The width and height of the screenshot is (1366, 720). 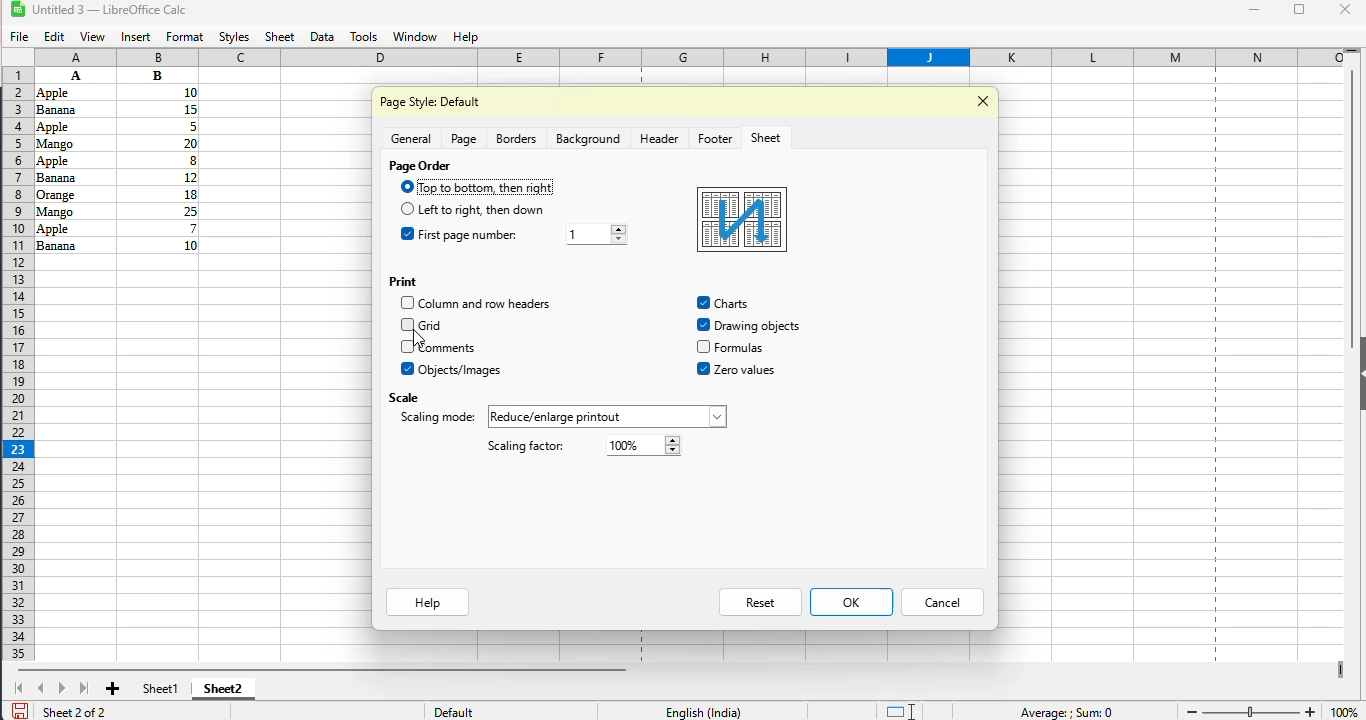 What do you see at coordinates (406, 324) in the screenshot?
I see `` at bounding box center [406, 324].